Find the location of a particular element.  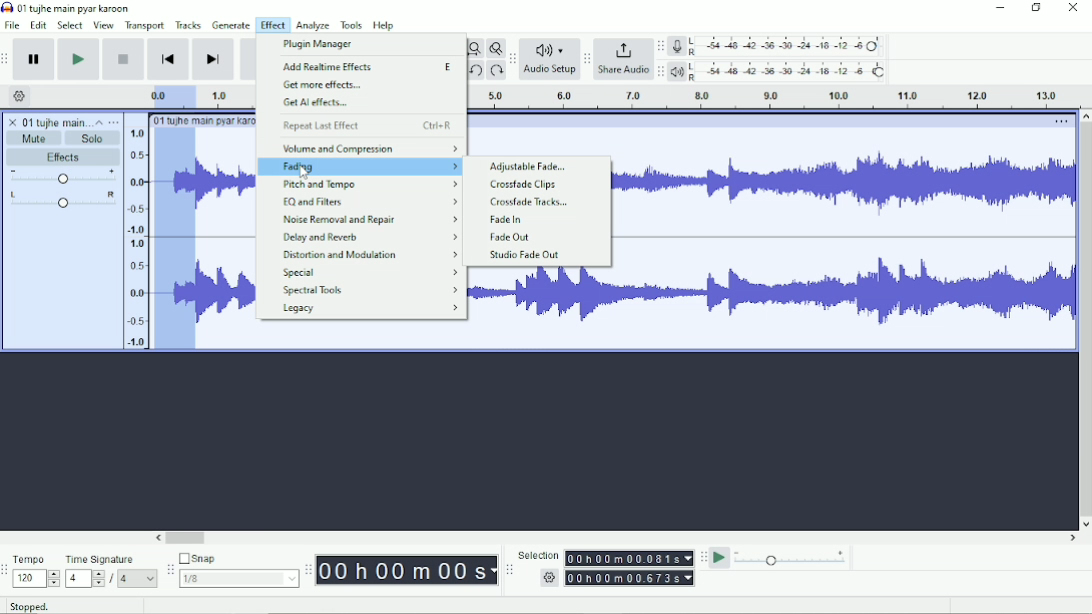

Delay and Reverb is located at coordinates (369, 238).